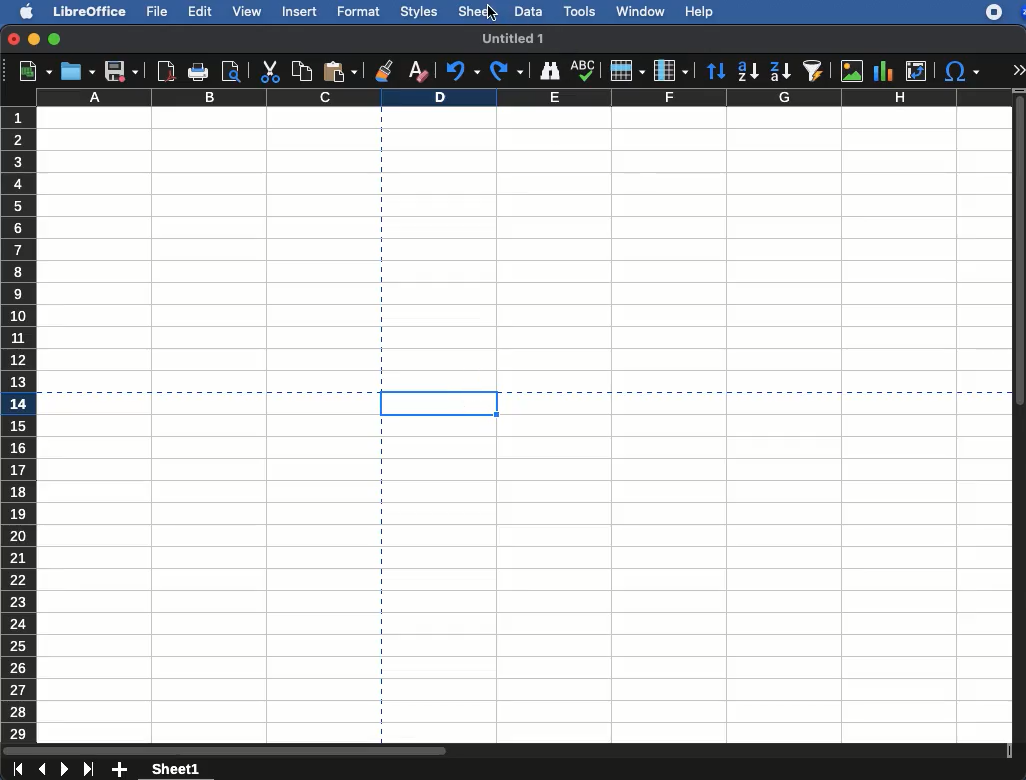 The width and height of the screenshot is (1026, 780). I want to click on page break, so click(381, 585).